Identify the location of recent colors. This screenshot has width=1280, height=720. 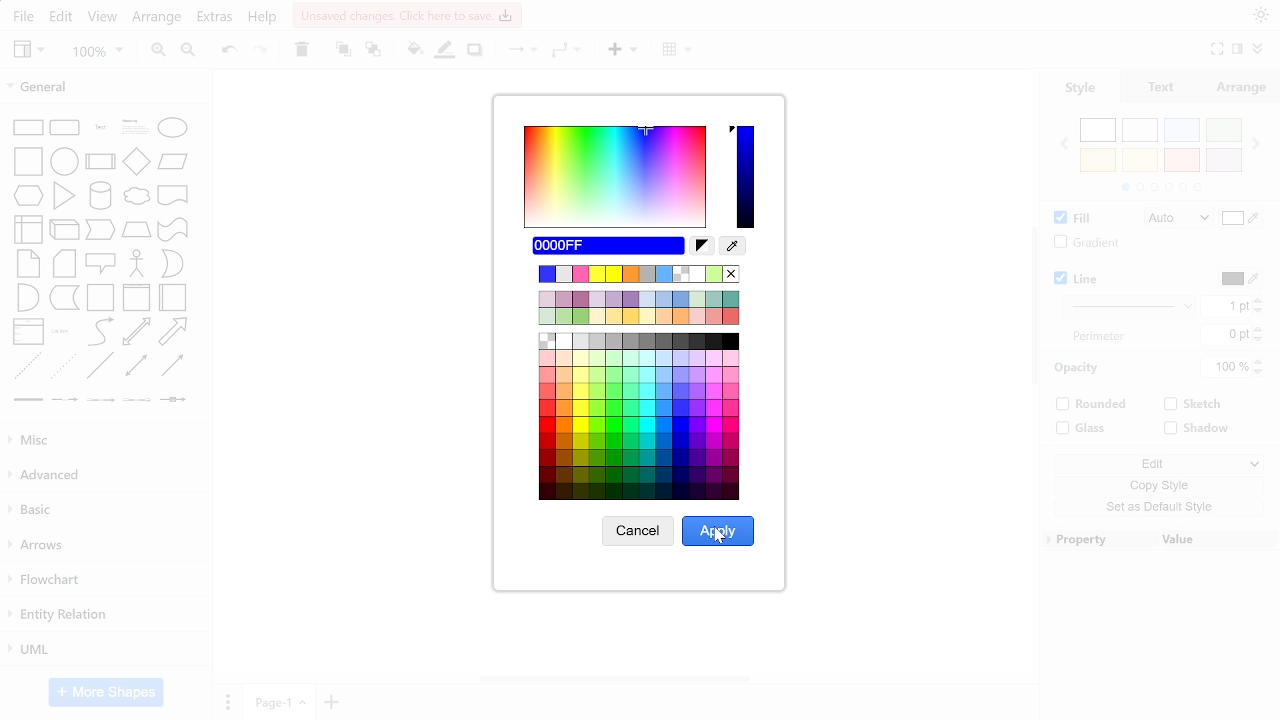
(642, 274).